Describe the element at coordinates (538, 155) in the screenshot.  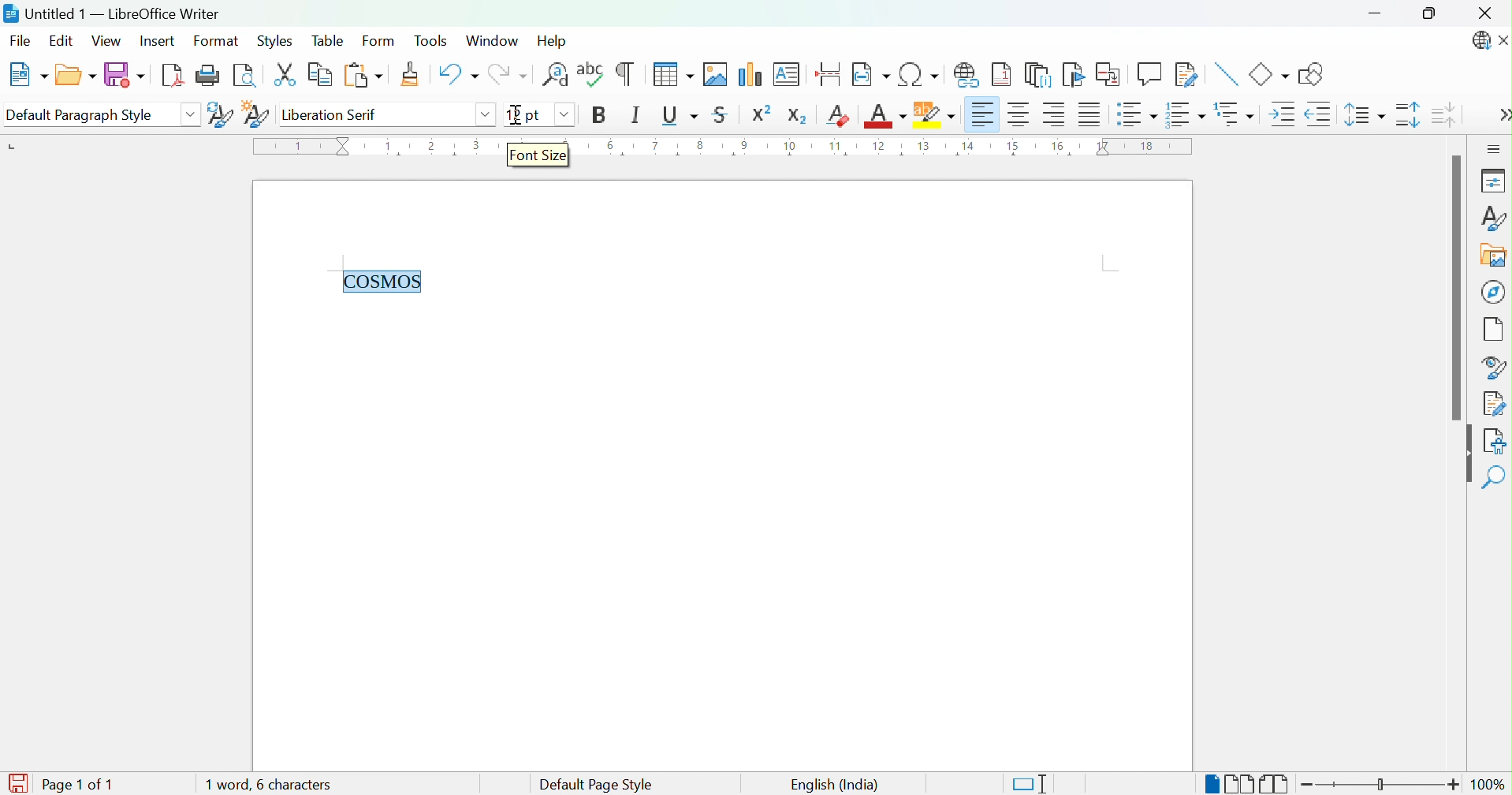
I see `Font Size` at that location.